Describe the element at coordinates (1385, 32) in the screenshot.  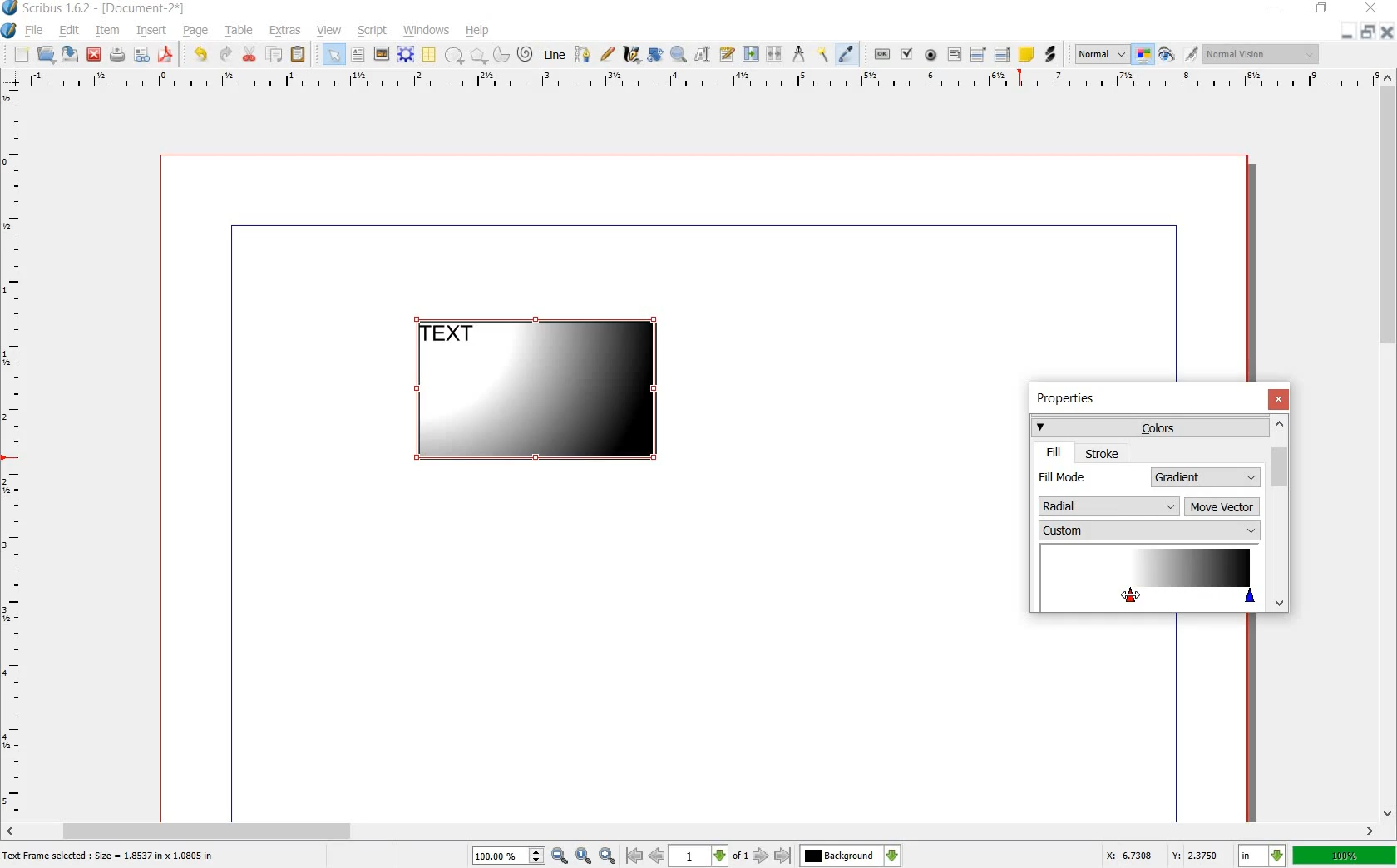
I see `close` at that location.